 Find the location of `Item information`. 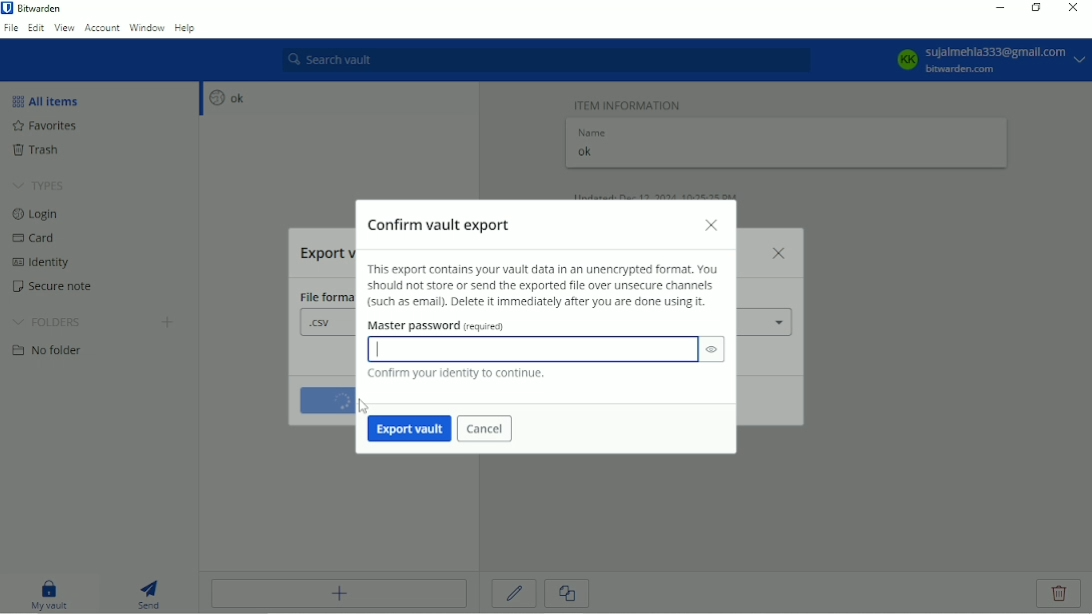

Item information is located at coordinates (629, 103).